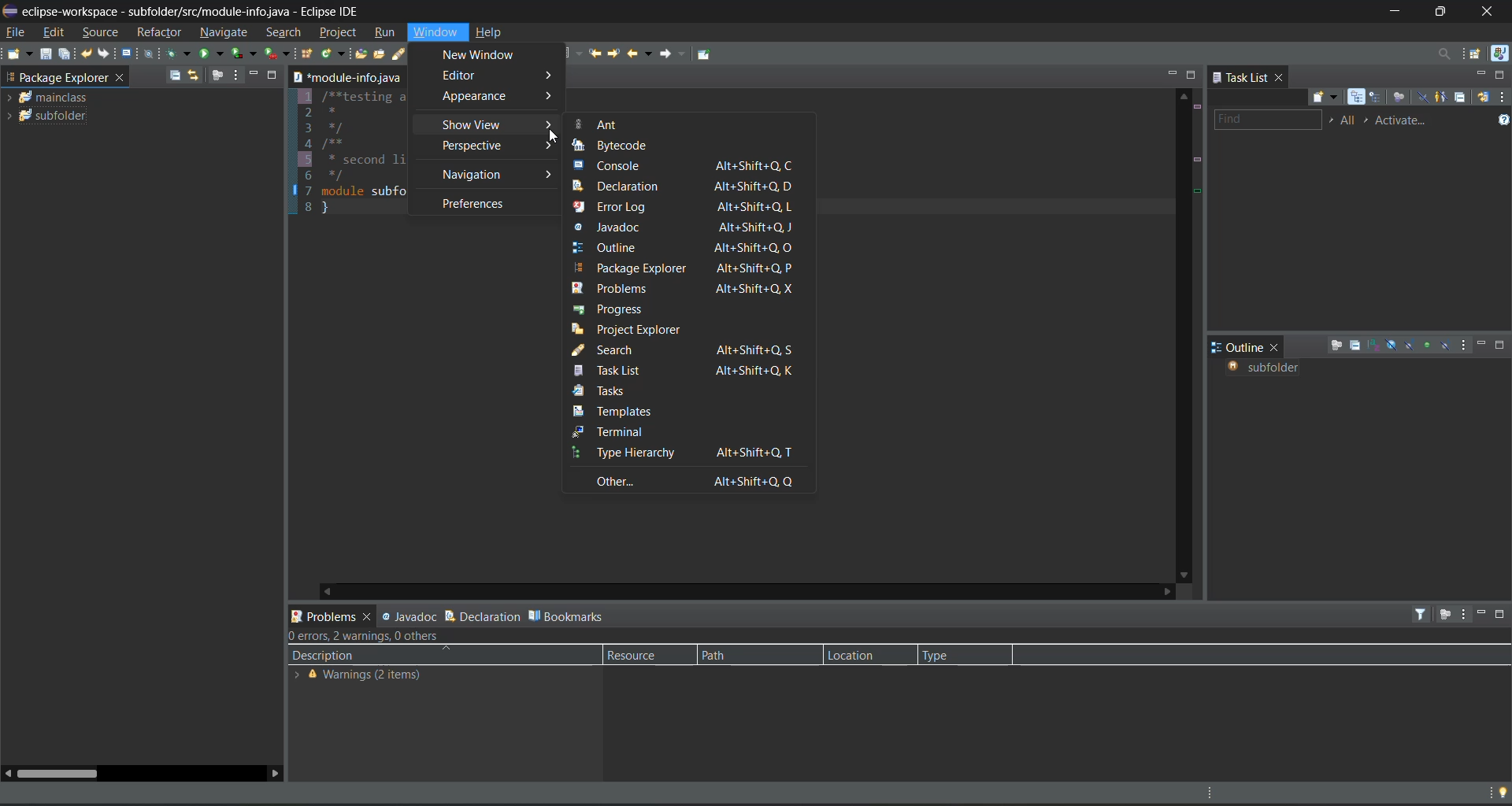 The image size is (1512, 806). Describe the element at coordinates (612, 308) in the screenshot. I see `progress` at that location.